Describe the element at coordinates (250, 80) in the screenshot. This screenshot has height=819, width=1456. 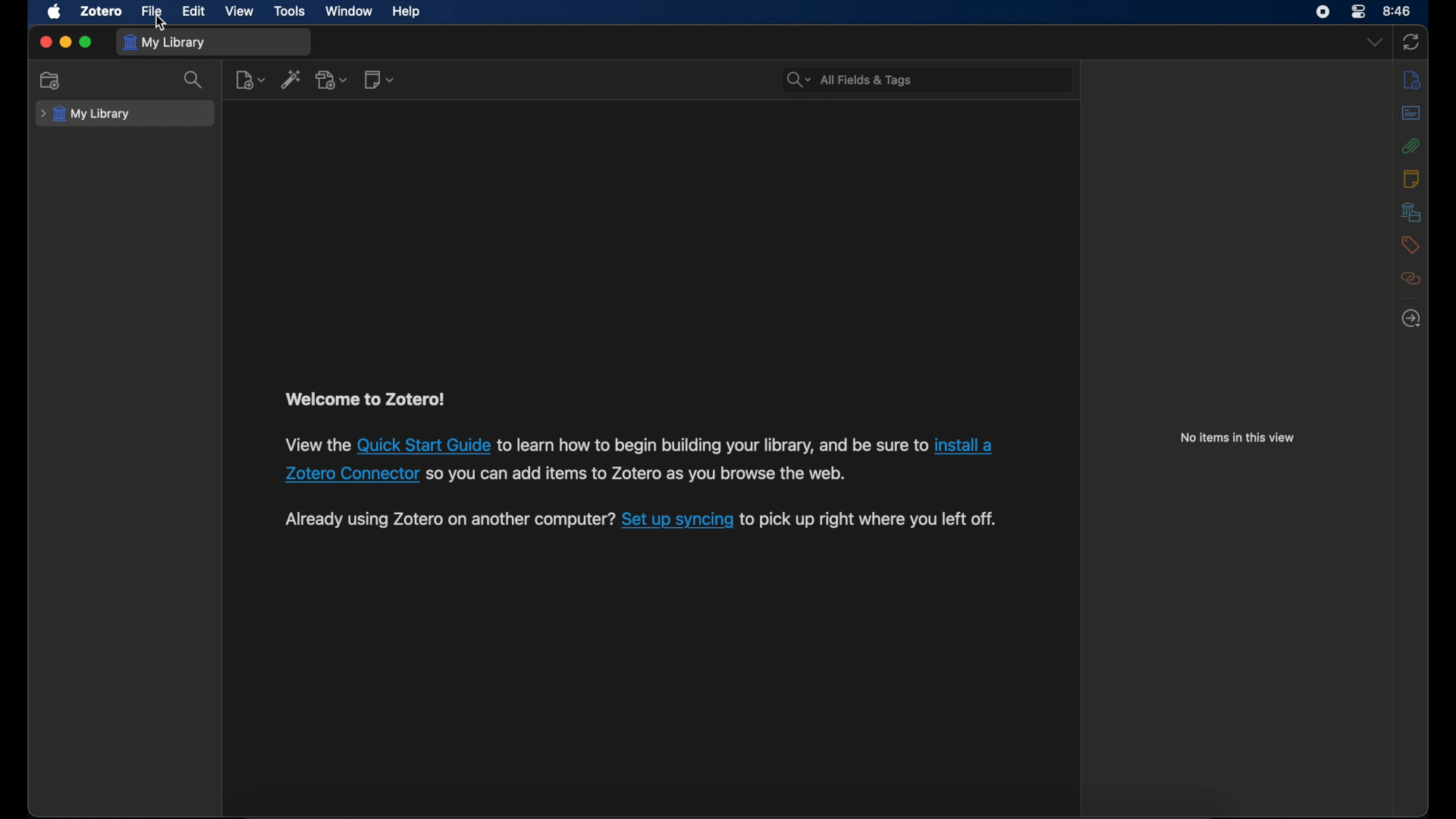
I see `new item` at that location.